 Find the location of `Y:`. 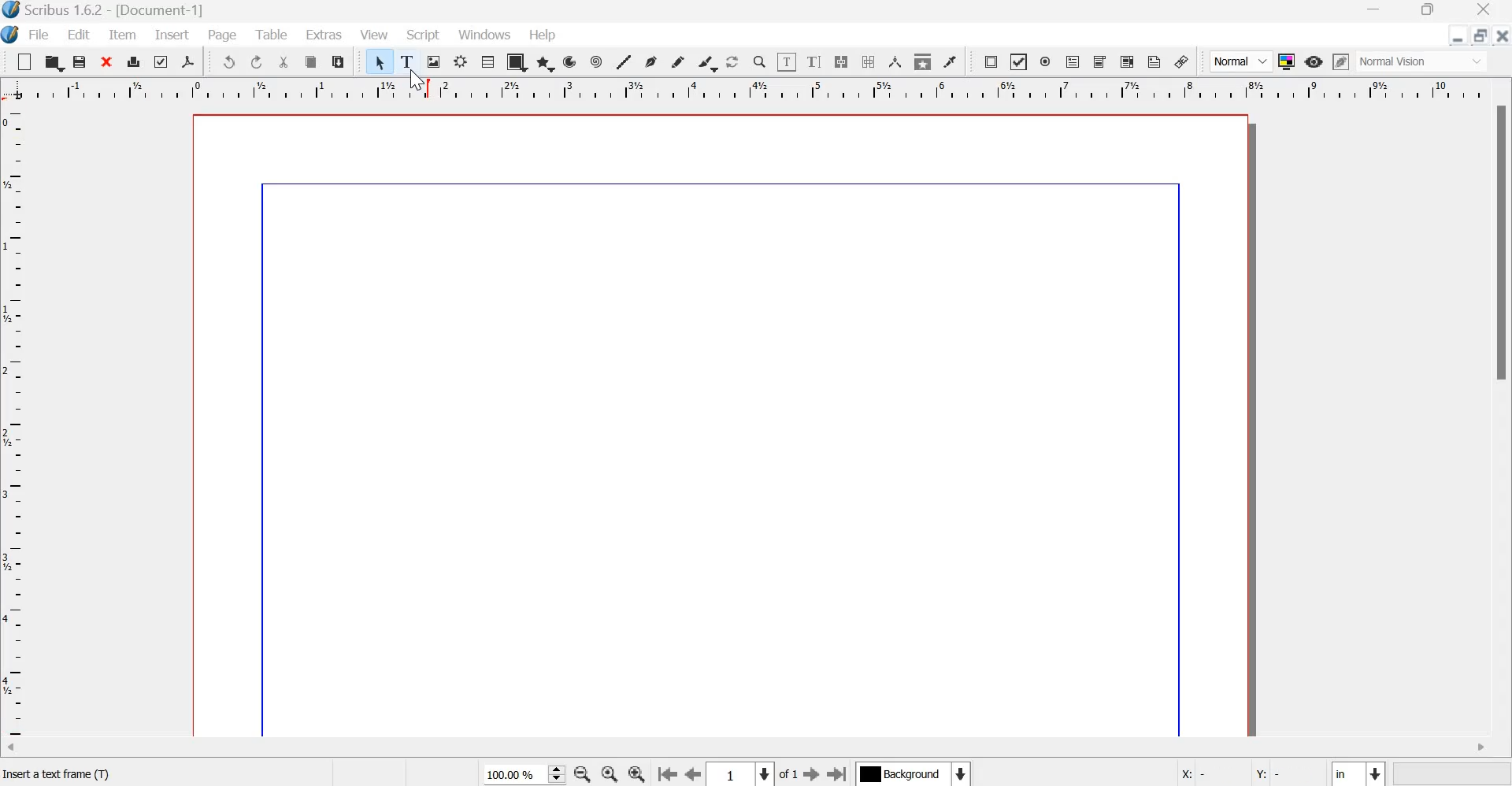

Y: is located at coordinates (1268, 771).